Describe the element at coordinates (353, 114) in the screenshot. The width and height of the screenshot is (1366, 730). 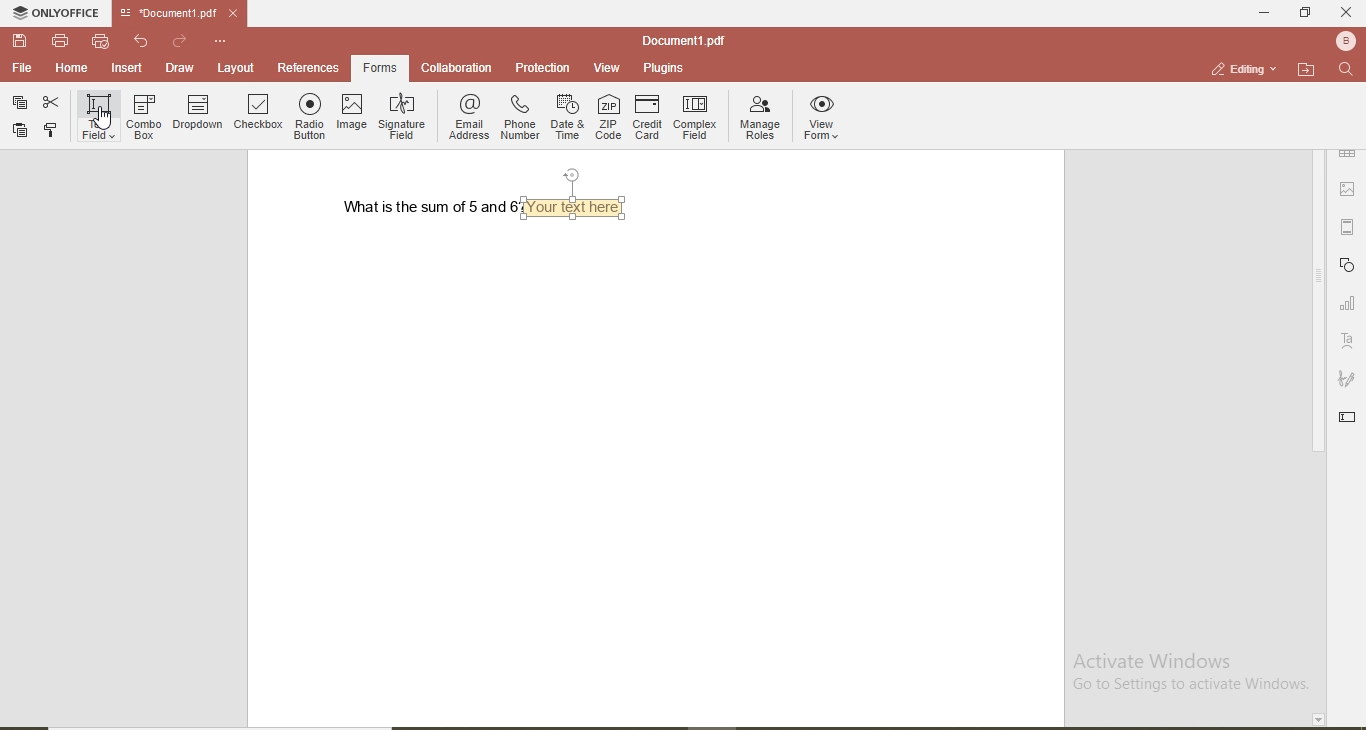
I see `image ` at that location.